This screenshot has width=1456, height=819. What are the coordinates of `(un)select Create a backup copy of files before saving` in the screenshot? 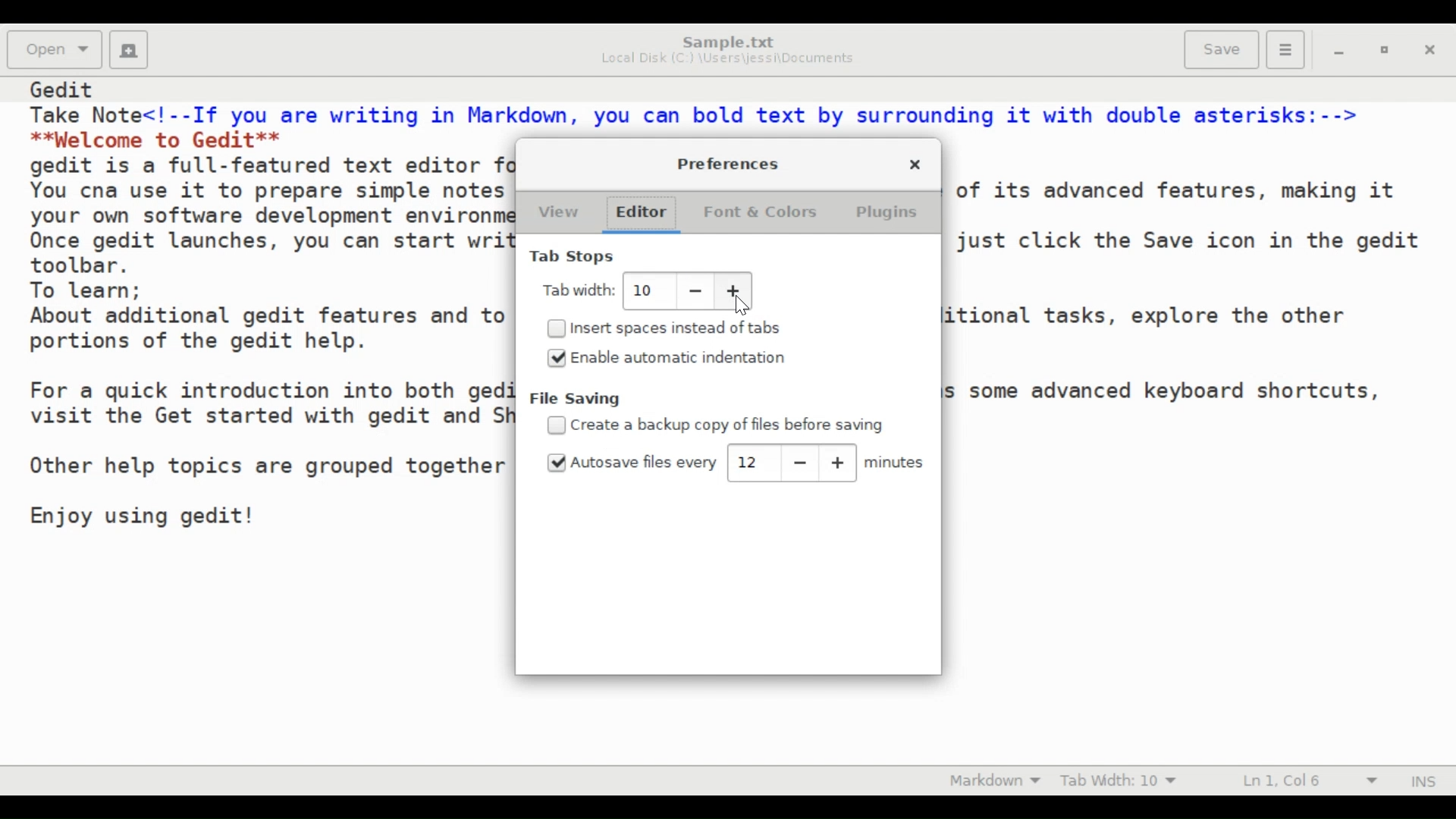 It's located at (718, 425).